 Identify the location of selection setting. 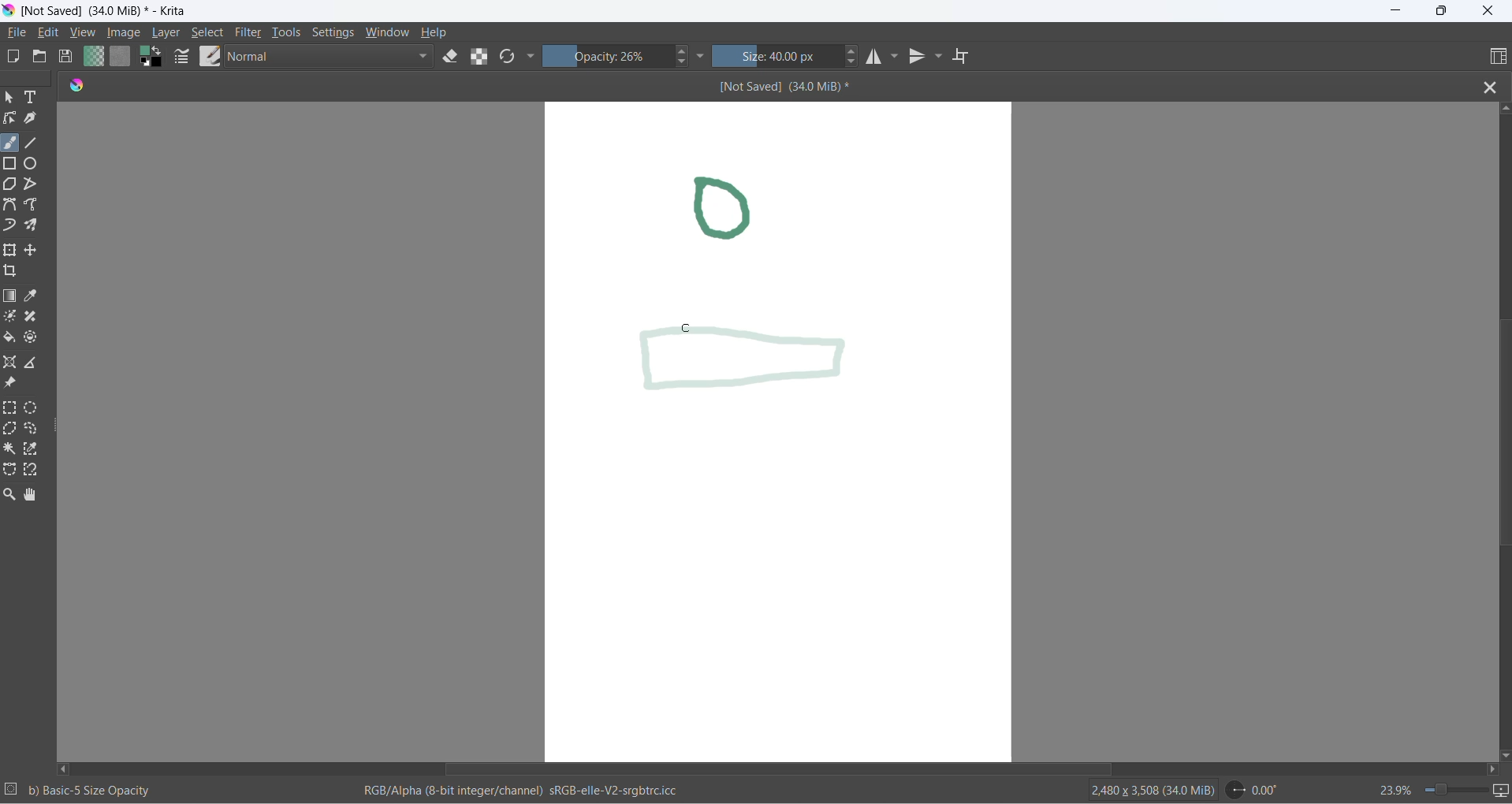
(12, 790).